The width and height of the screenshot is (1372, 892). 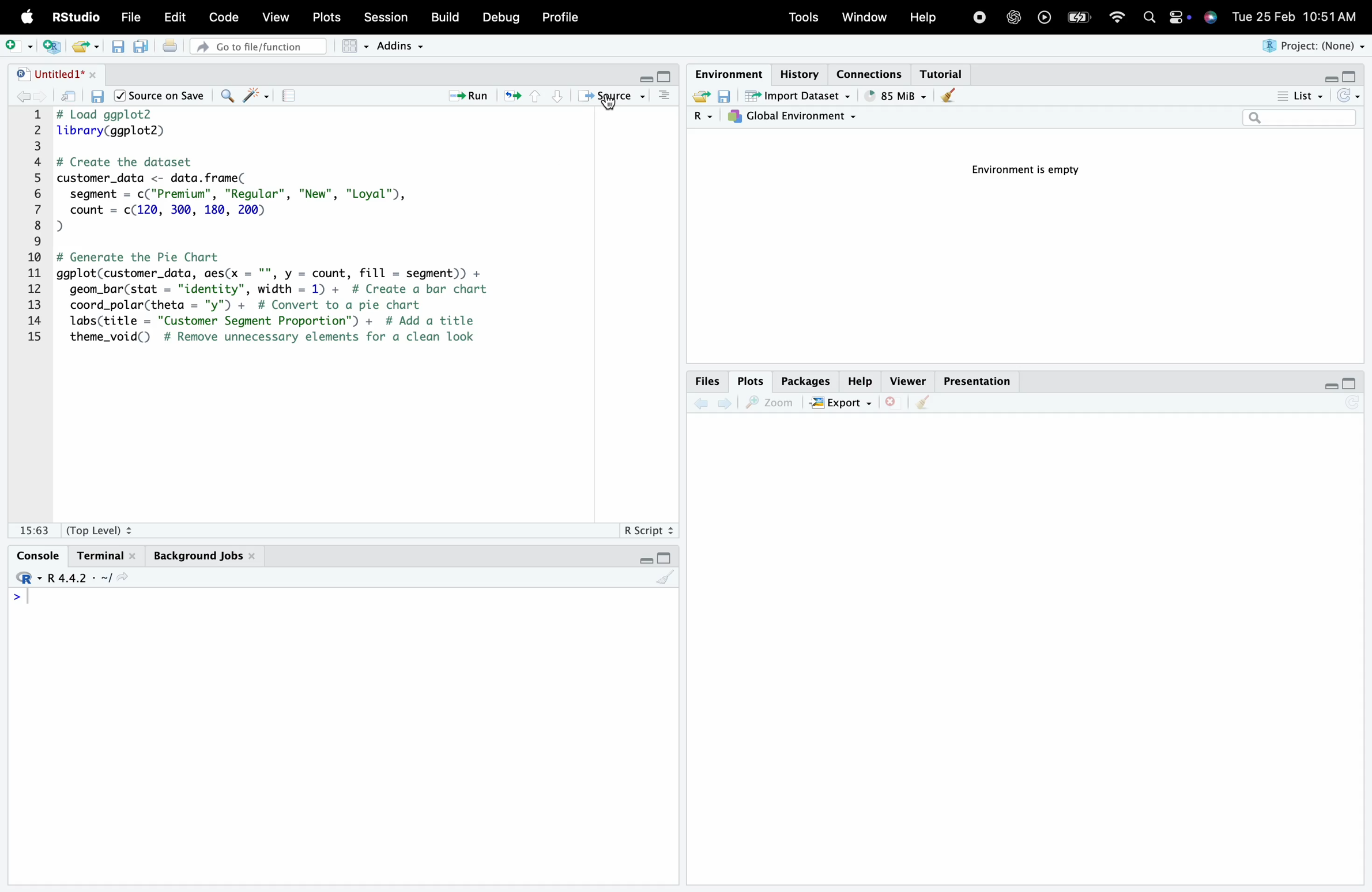 I want to click on next, so click(x=729, y=407).